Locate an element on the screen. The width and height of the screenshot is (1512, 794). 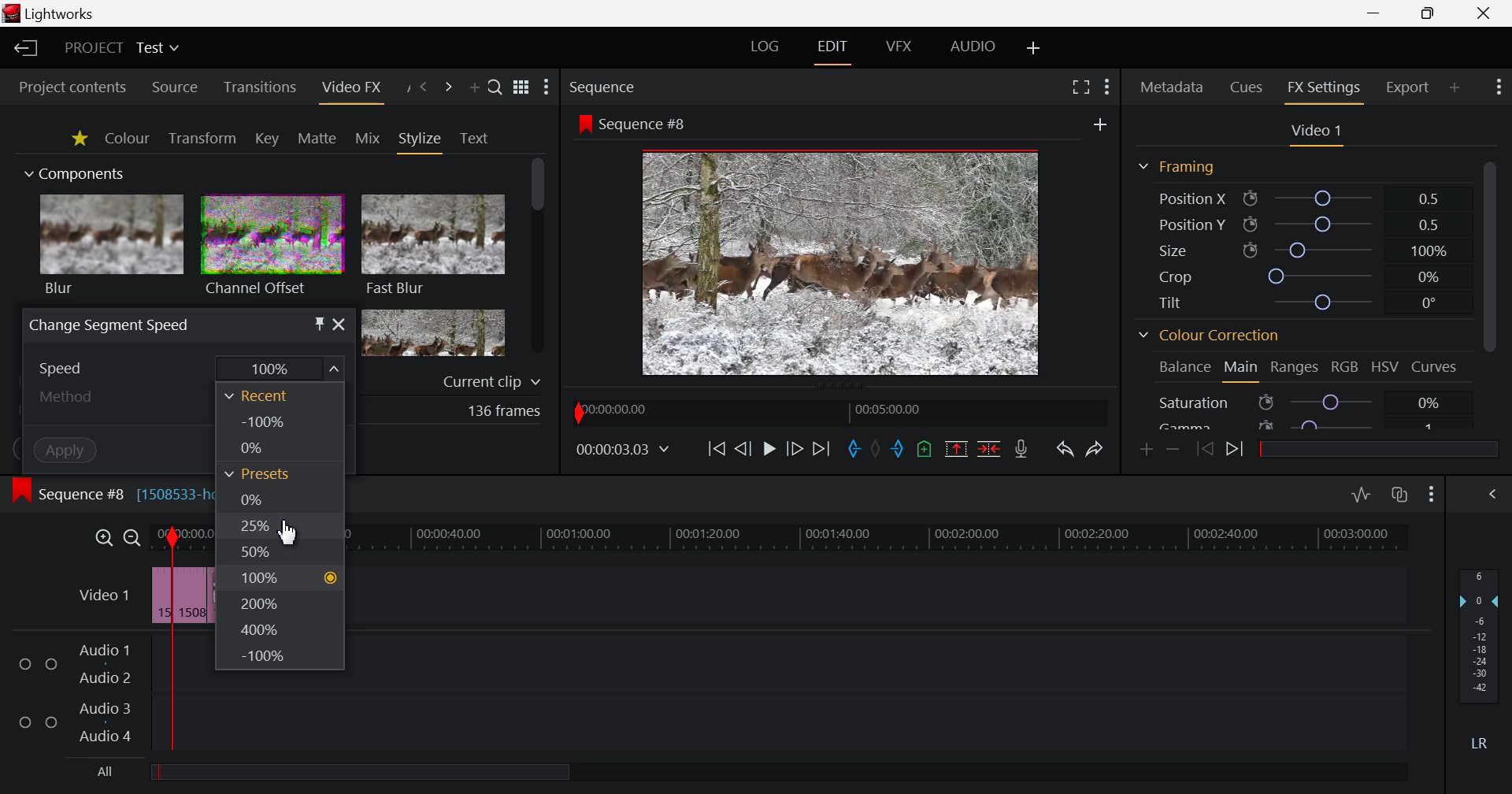
Full Screen is located at coordinates (1077, 90).